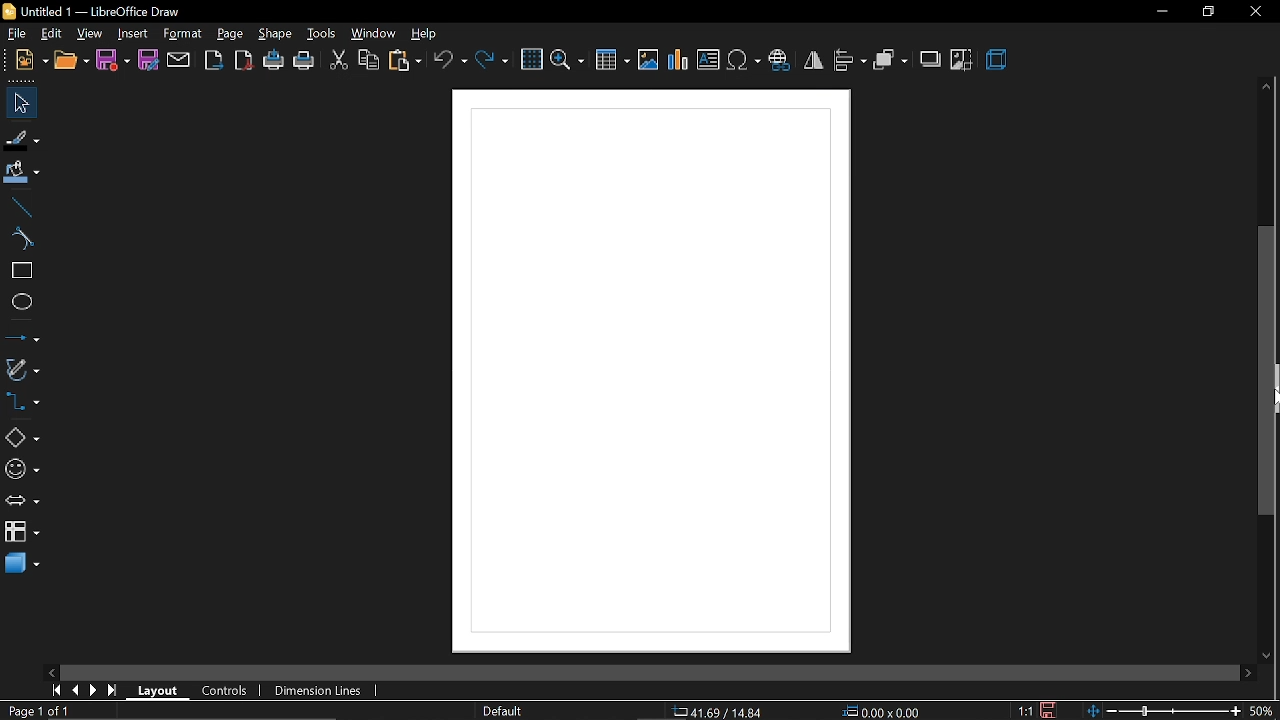 The image size is (1280, 720). I want to click on print directly, so click(274, 62).